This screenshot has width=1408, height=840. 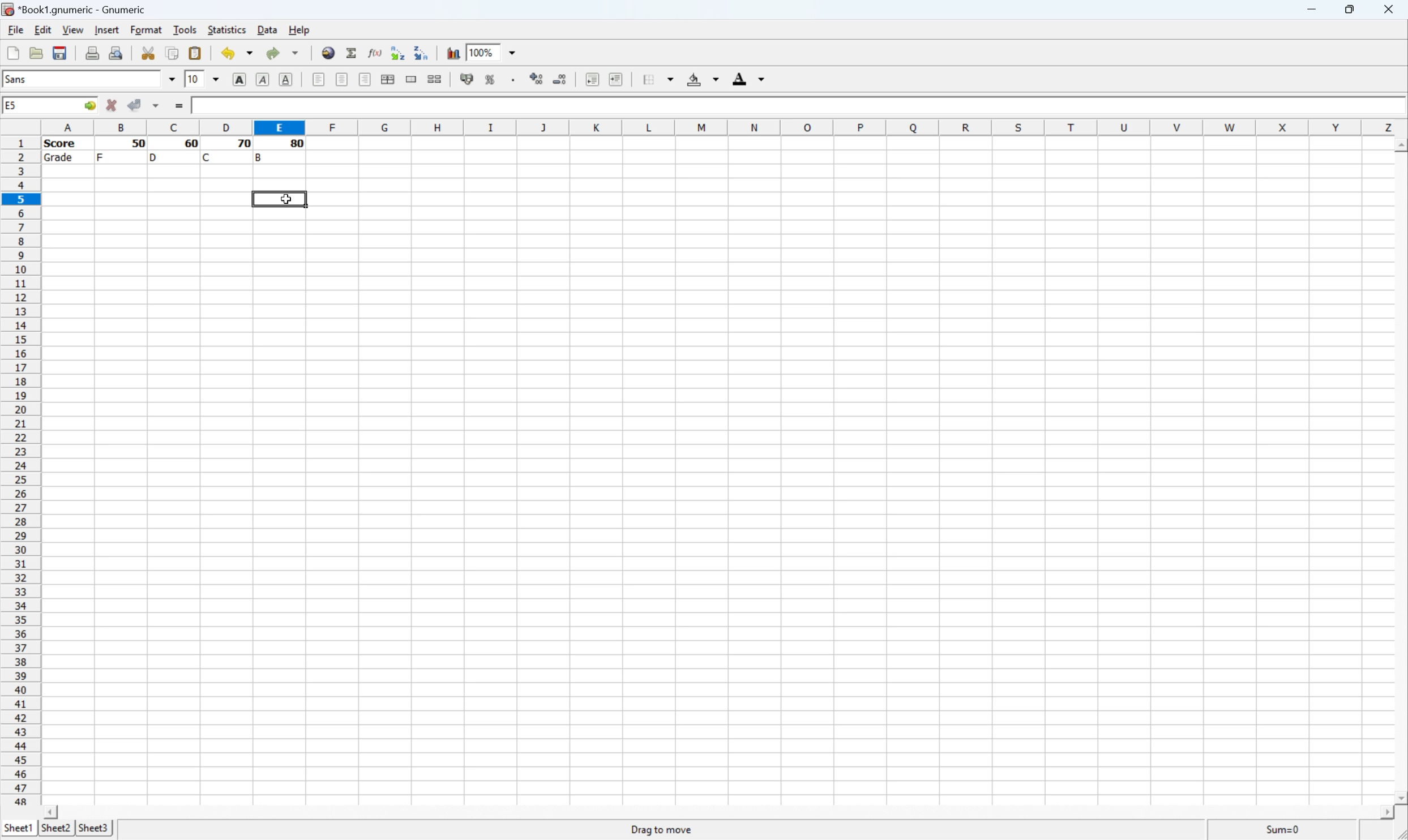 I want to click on Center Horizontally, so click(x=340, y=80).